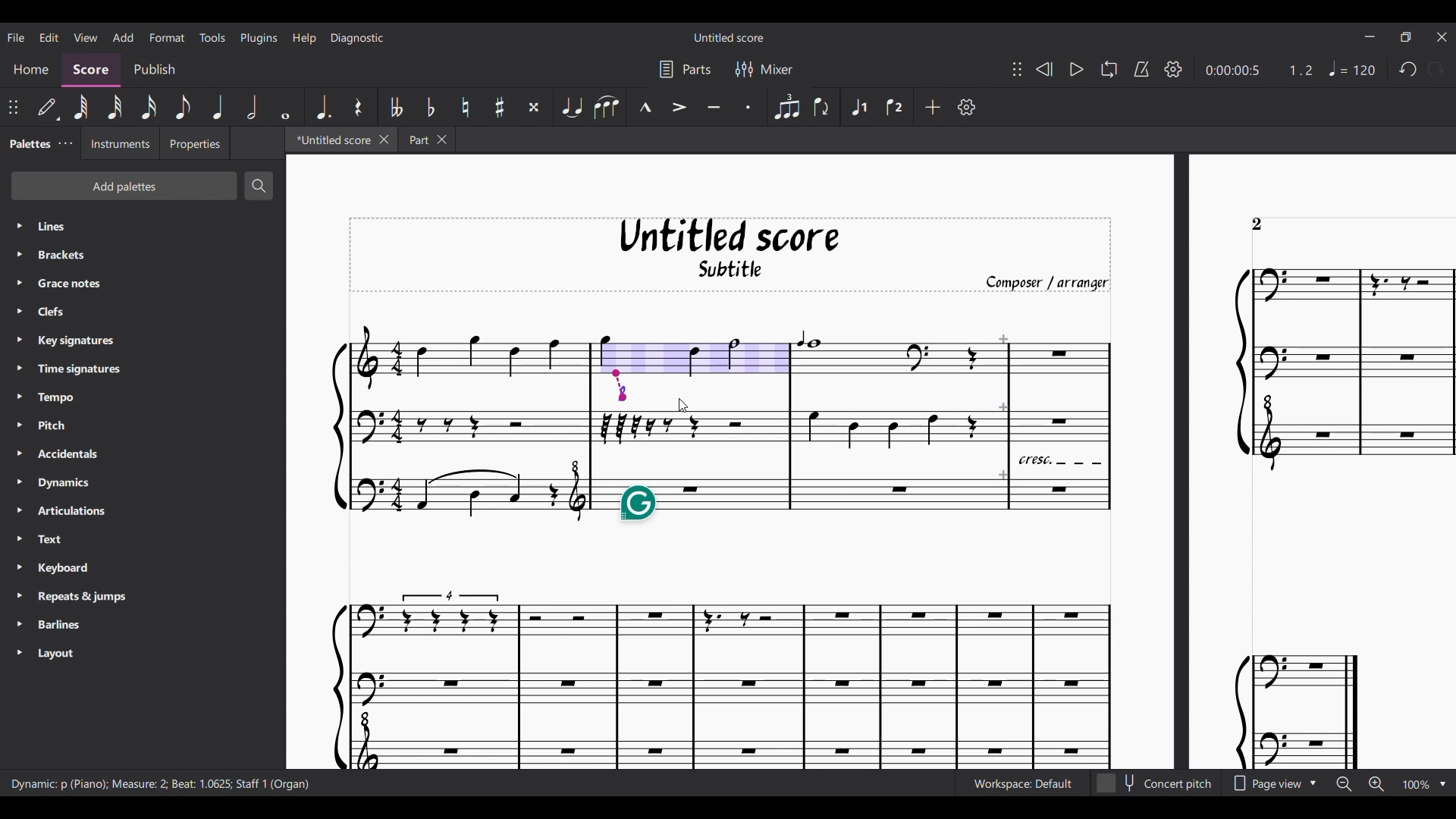 The image size is (1456, 819). Describe the element at coordinates (1141, 69) in the screenshot. I see `Metronome` at that location.